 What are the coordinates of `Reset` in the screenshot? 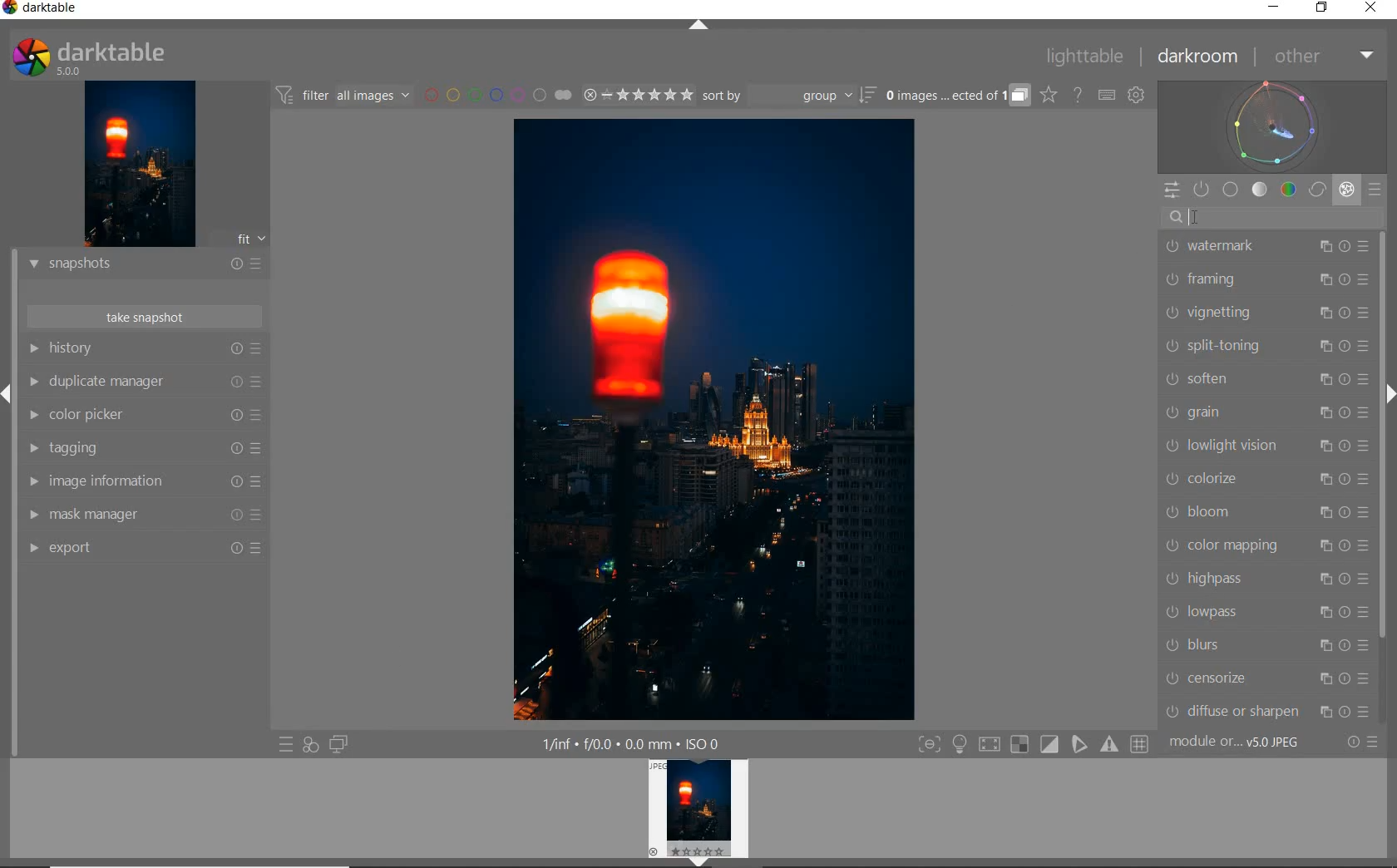 It's located at (1345, 311).